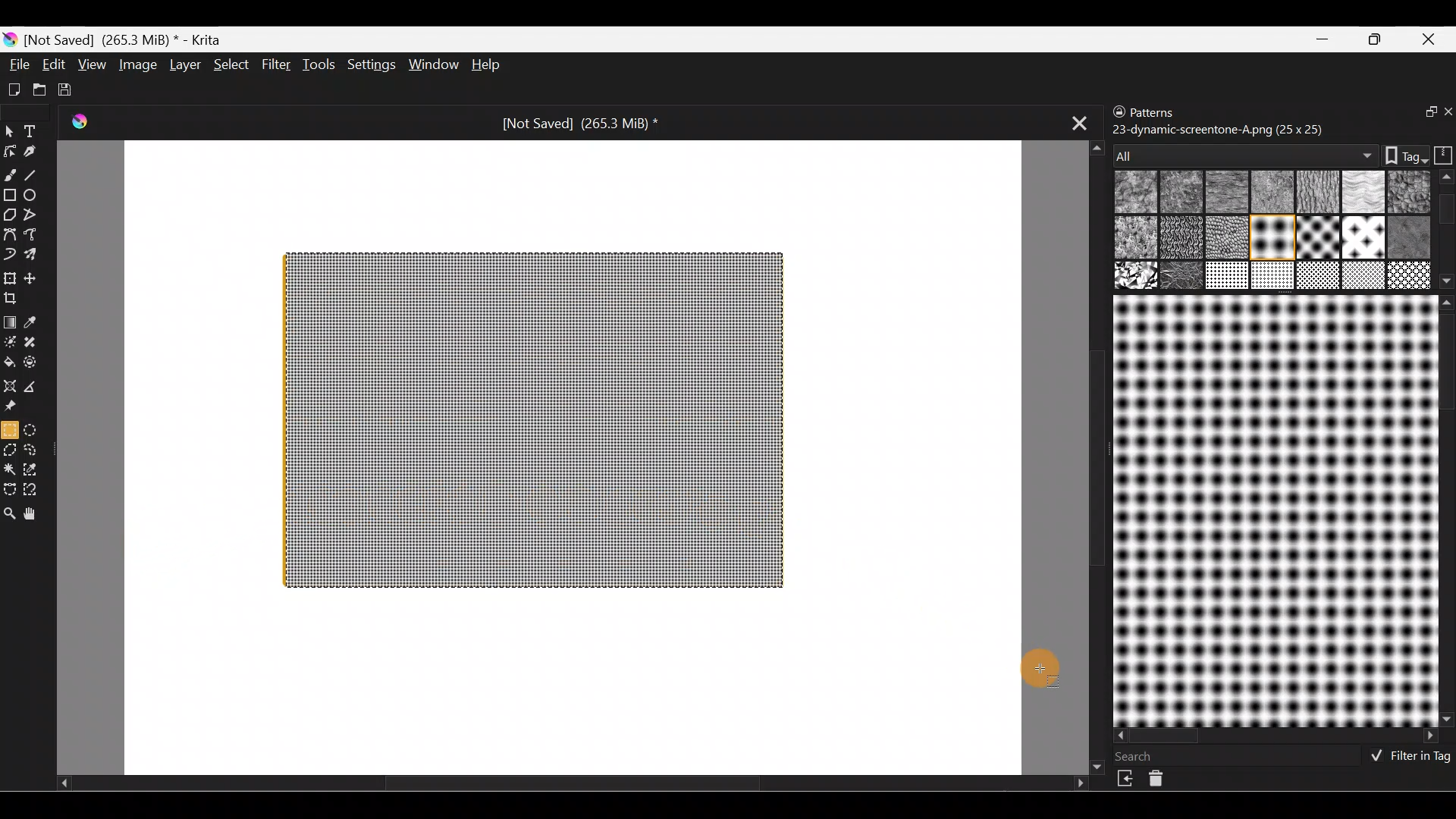 Image resolution: width=1456 pixels, height=819 pixels. What do you see at coordinates (1269, 193) in the screenshot?
I see `03 default-paper.png` at bounding box center [1269, 193].